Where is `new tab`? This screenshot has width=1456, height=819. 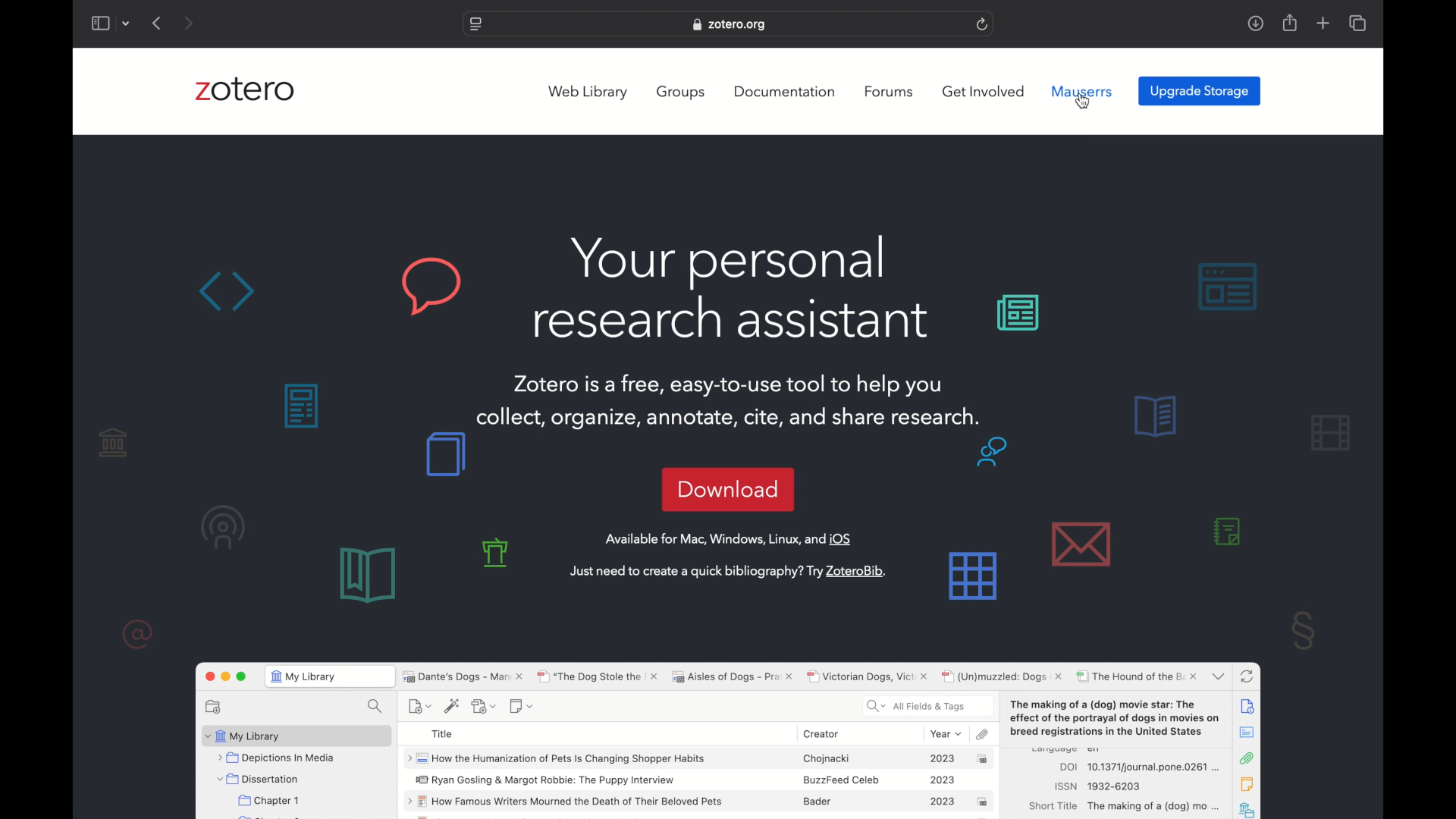 new tab is located at coordinates (1323, 23).